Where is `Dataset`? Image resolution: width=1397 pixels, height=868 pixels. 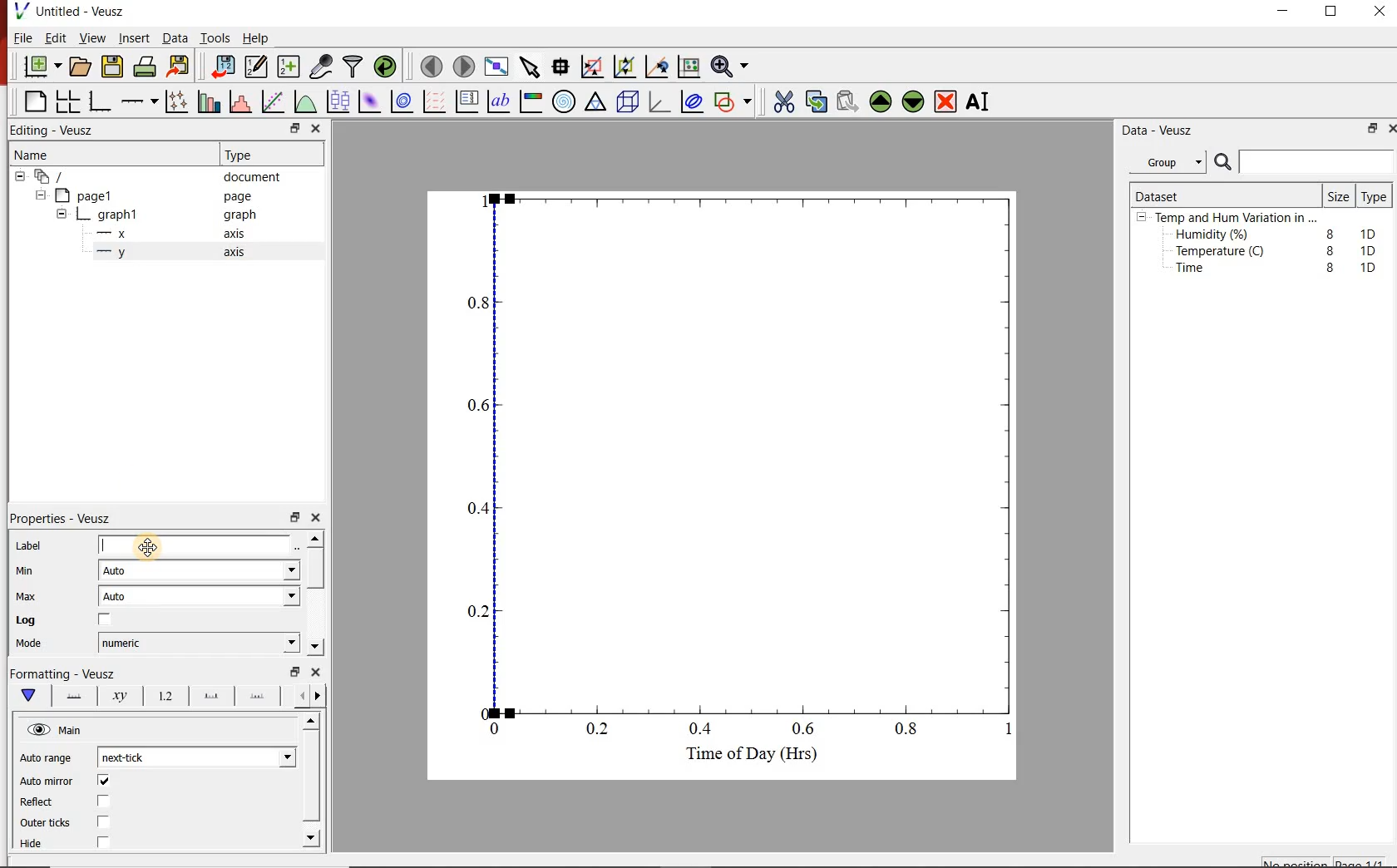
Dataset is located at coordinates (1164, 194).